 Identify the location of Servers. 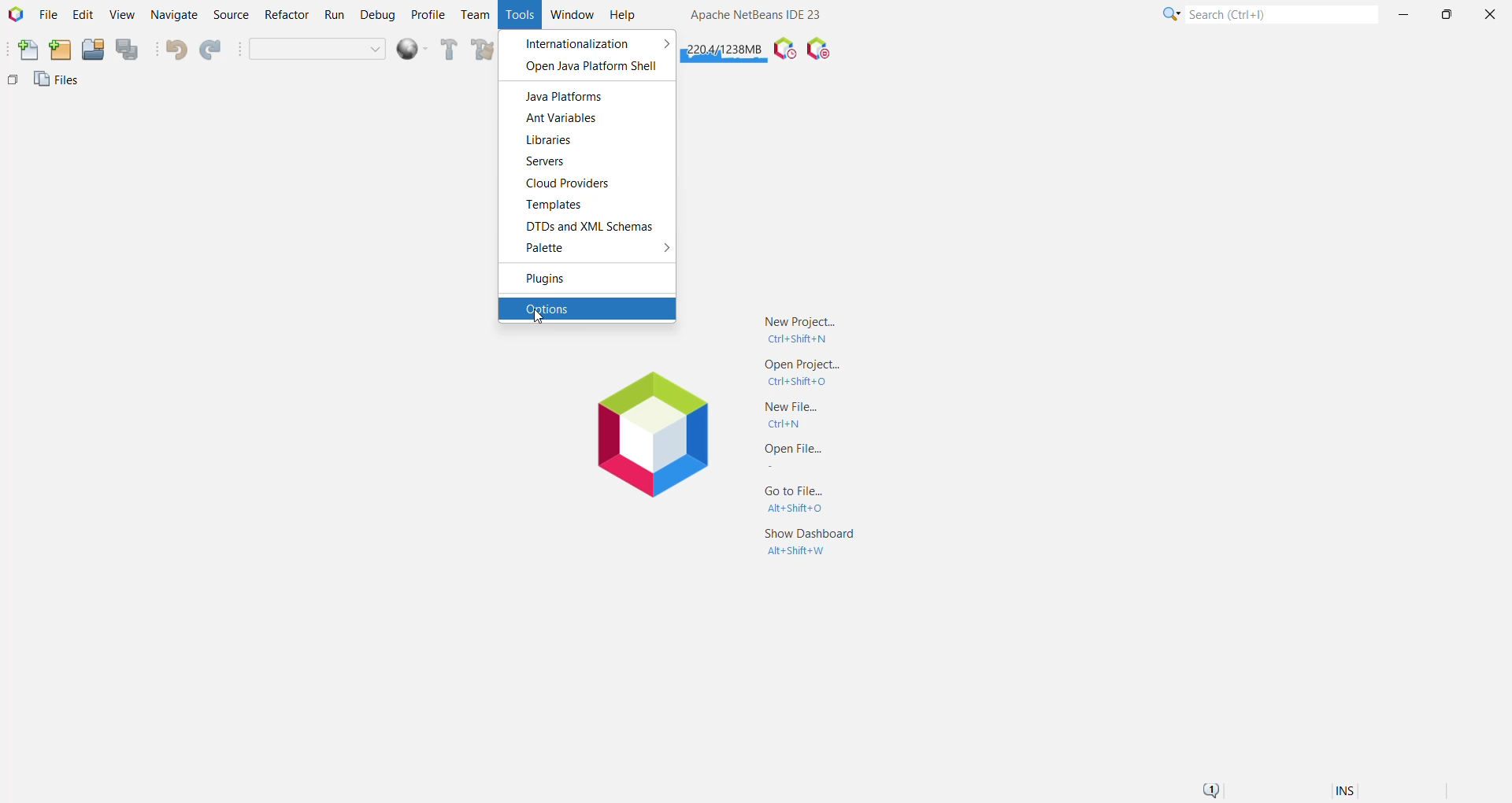
(544, 161).